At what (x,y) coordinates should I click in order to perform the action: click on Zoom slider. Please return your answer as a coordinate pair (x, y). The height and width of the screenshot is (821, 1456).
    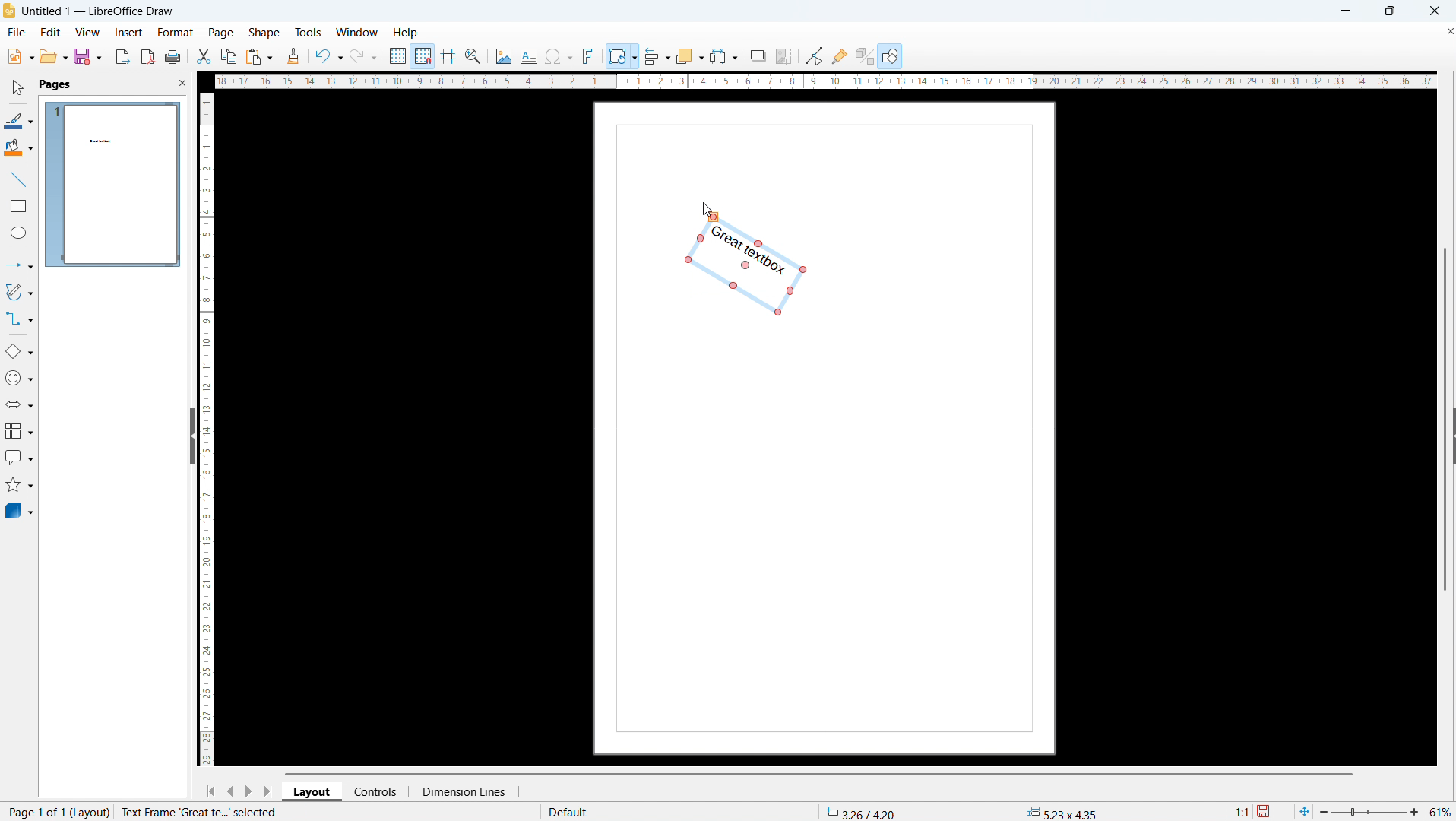
    Looking at the image, I should click on (1371, 813).